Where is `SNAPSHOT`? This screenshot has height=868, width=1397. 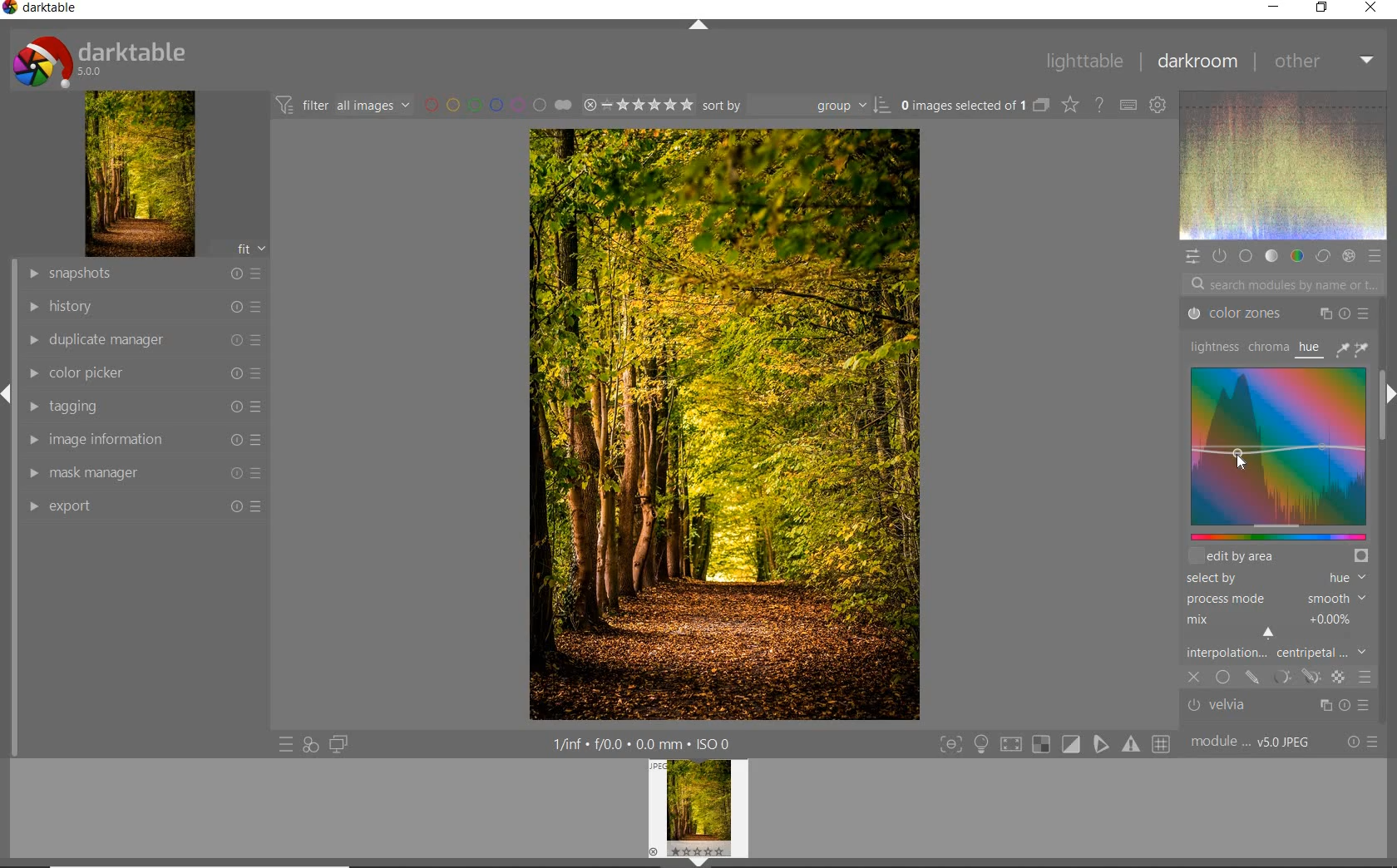 SNAPSHOT is located at coordinates (144, 273).